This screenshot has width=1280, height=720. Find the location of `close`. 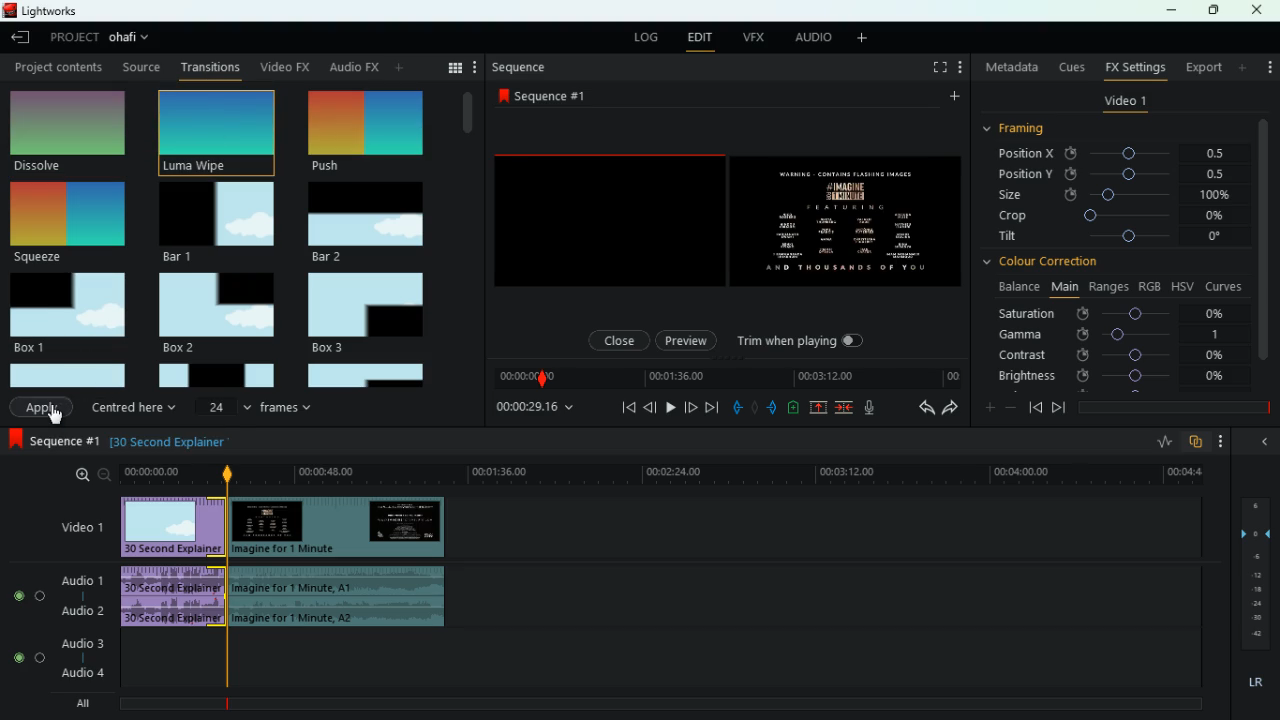

close is located at coordinates (615, 340).